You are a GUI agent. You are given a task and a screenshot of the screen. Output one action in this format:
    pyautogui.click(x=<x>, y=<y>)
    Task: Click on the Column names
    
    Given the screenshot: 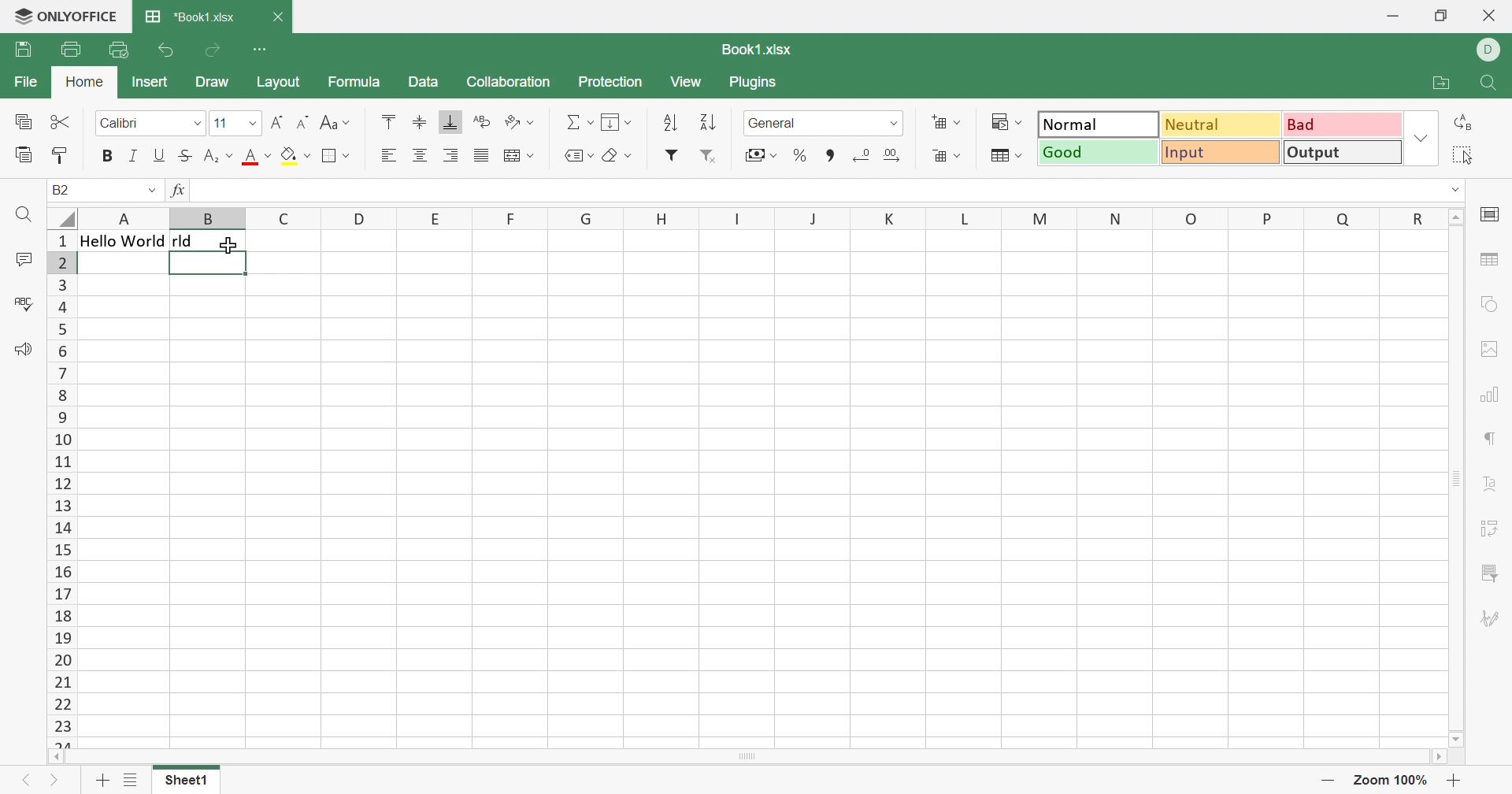 What is the action you would take?
    pyautogui.click(x=754, y=217)
    